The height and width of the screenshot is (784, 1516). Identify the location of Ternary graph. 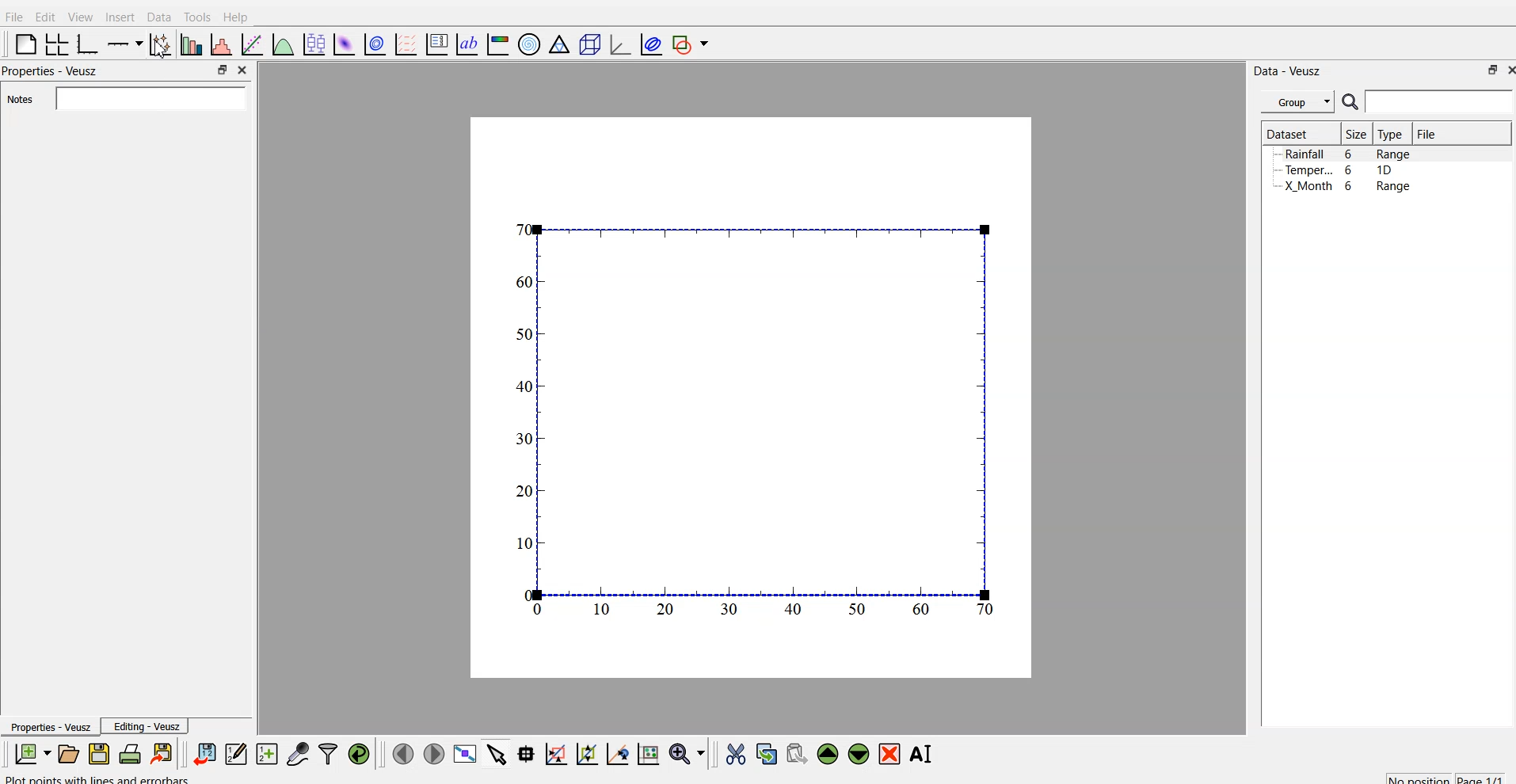
(556, 45).